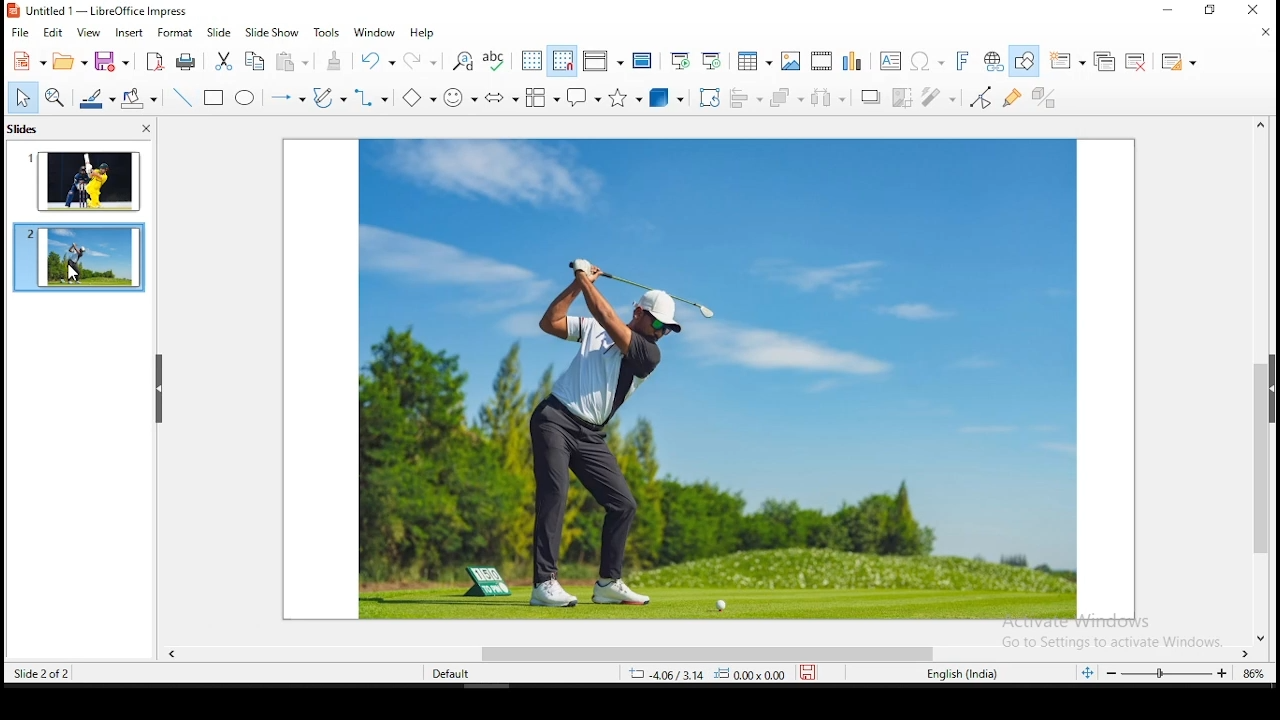  What do you see at coordinates (20, 33) in the screenshot?
I see `file` at bounding box center [20, 33].